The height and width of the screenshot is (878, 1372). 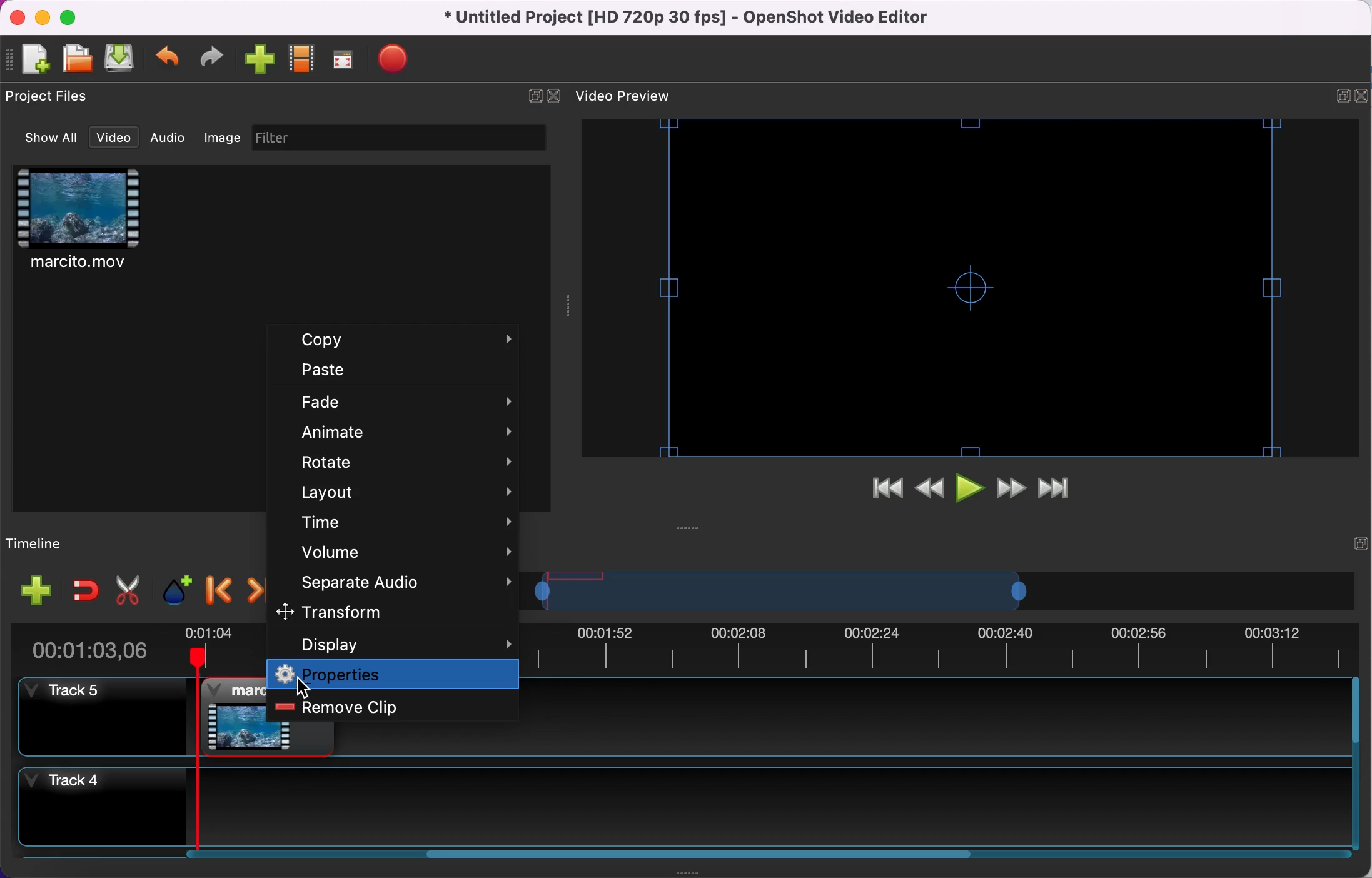 I want to click on save file, so click(x=121, y=58).